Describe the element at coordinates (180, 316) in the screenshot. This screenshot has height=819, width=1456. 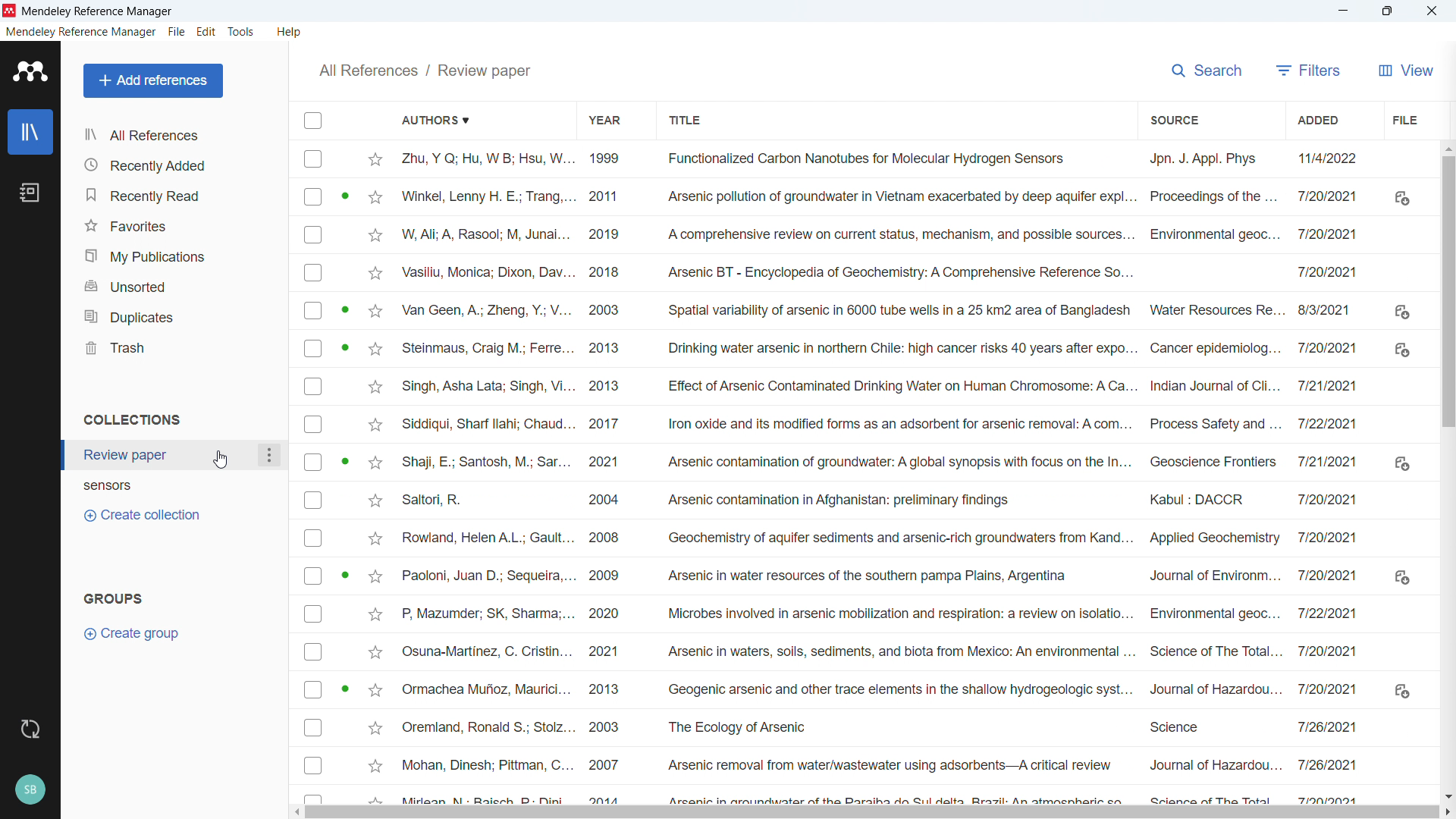
I see `Duplicates ` at that location.